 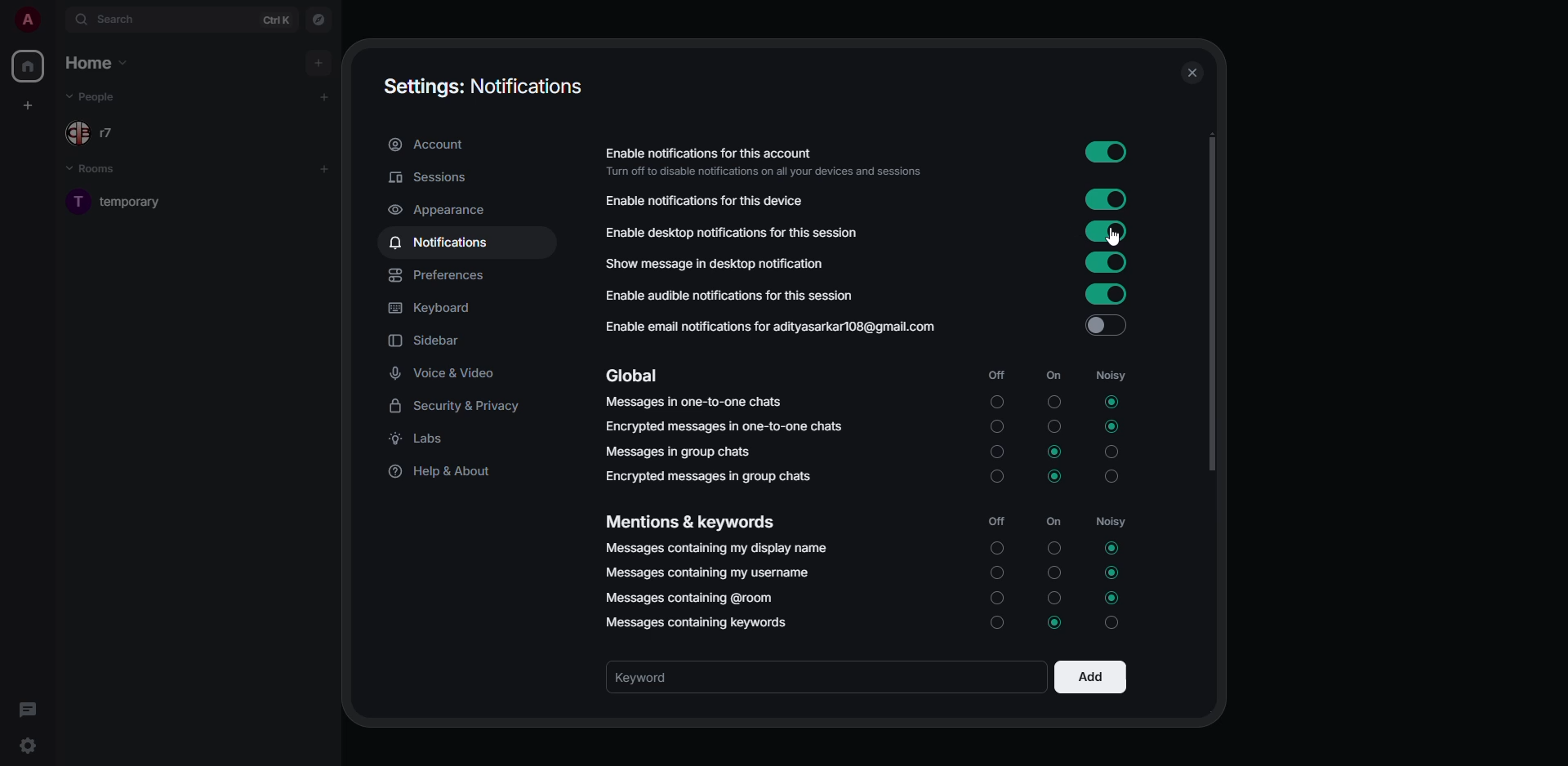 I want to click on enable notifications for this account, so click(x=769, y=162).